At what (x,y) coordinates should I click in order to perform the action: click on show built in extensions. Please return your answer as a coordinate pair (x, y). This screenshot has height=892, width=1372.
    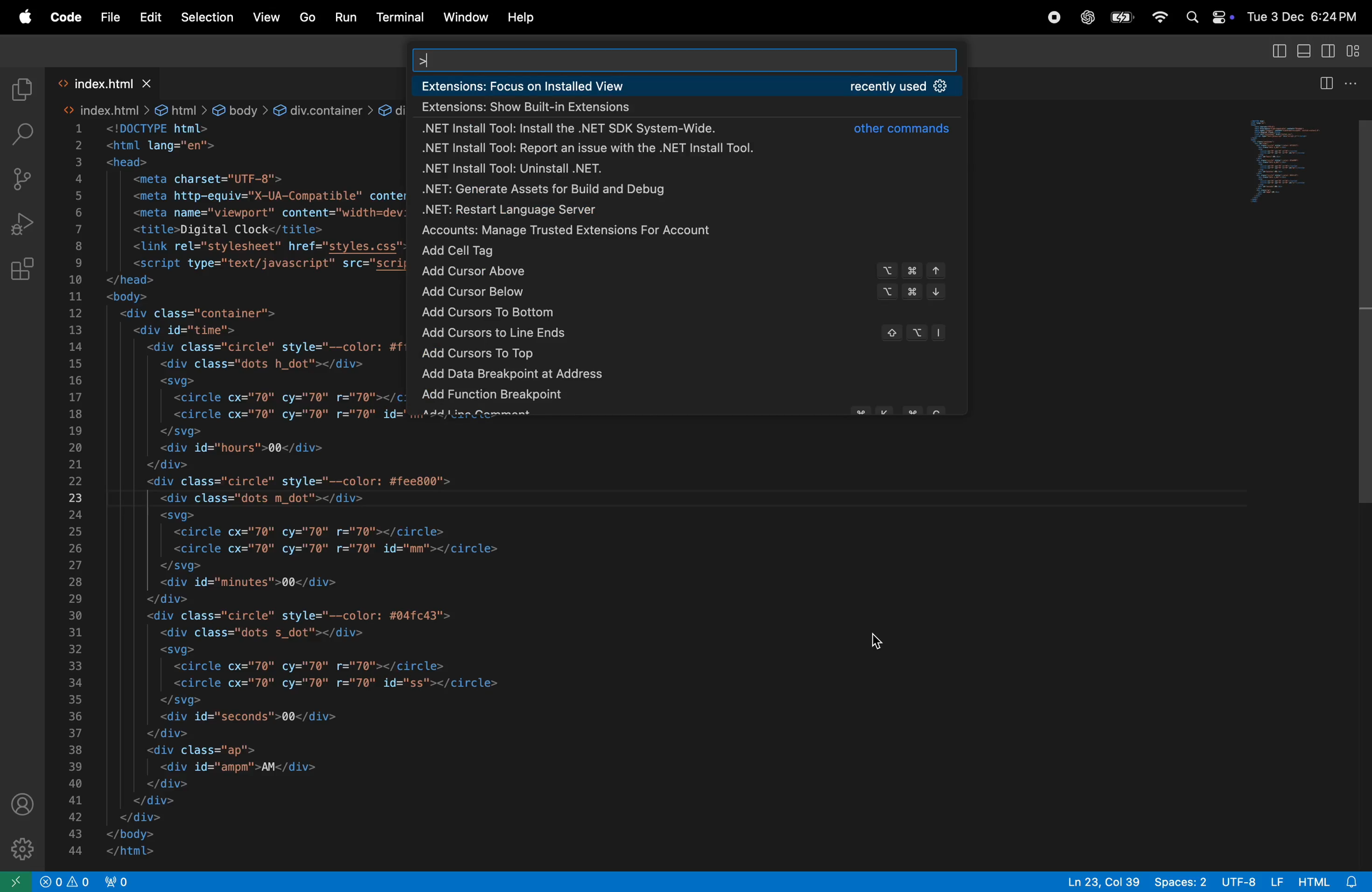
    Looking at the image, I should click on (685, 107).